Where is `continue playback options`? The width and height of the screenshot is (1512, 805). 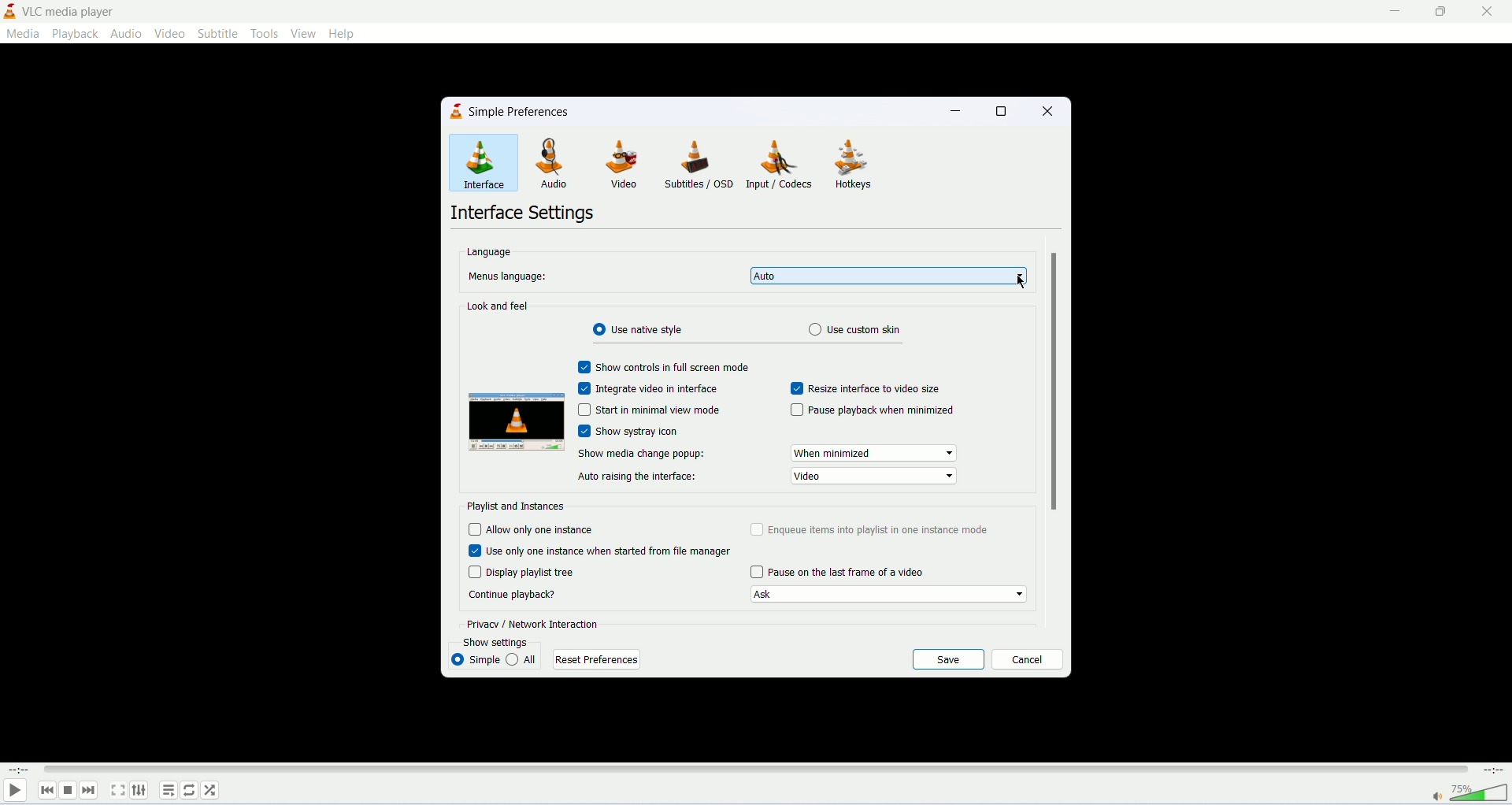 continue playback options is located at coordinates (888, 595).